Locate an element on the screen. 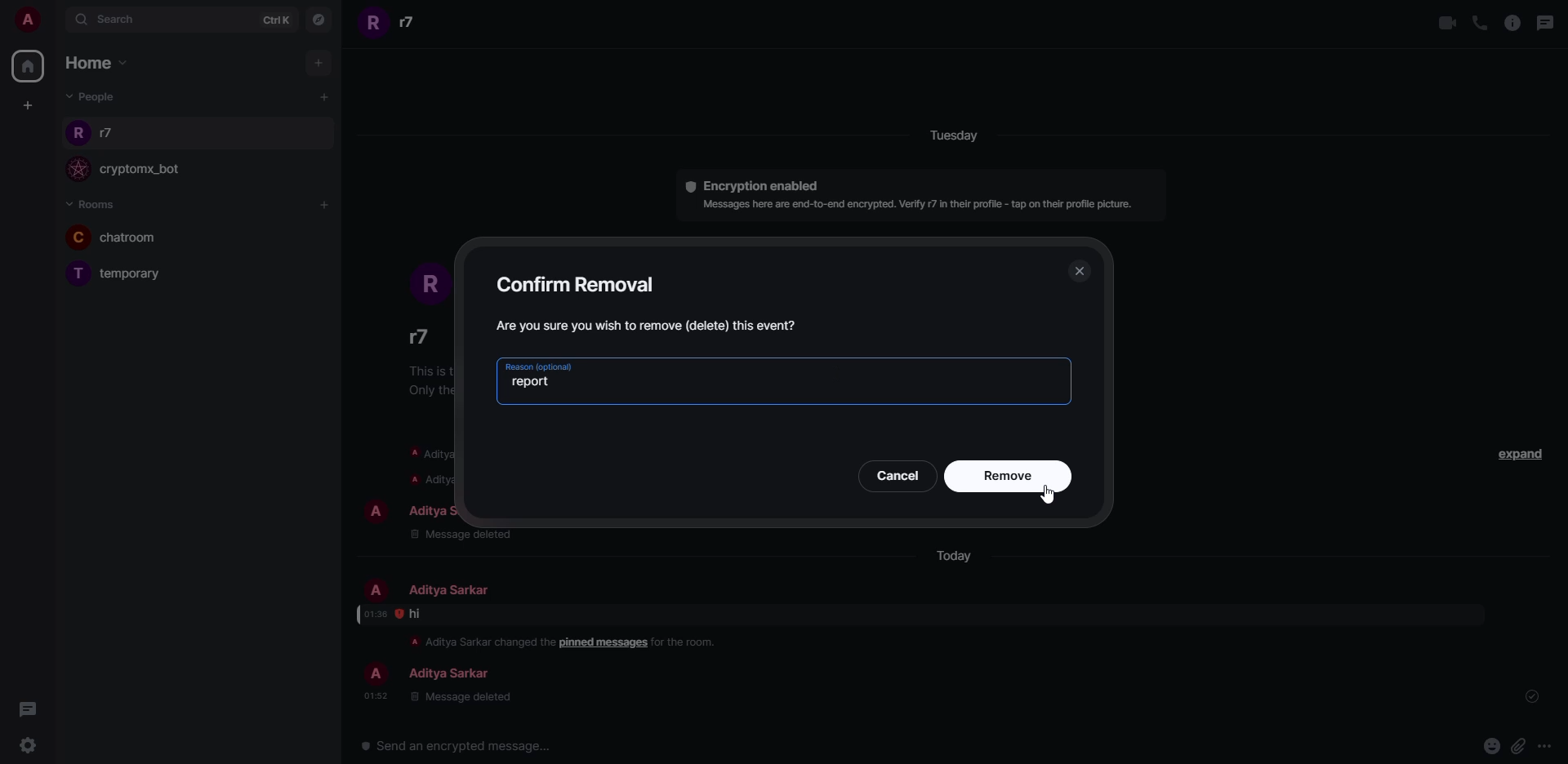 This screenshot has width=1568, height=764. cursor is located at coordinates (1049, 496).